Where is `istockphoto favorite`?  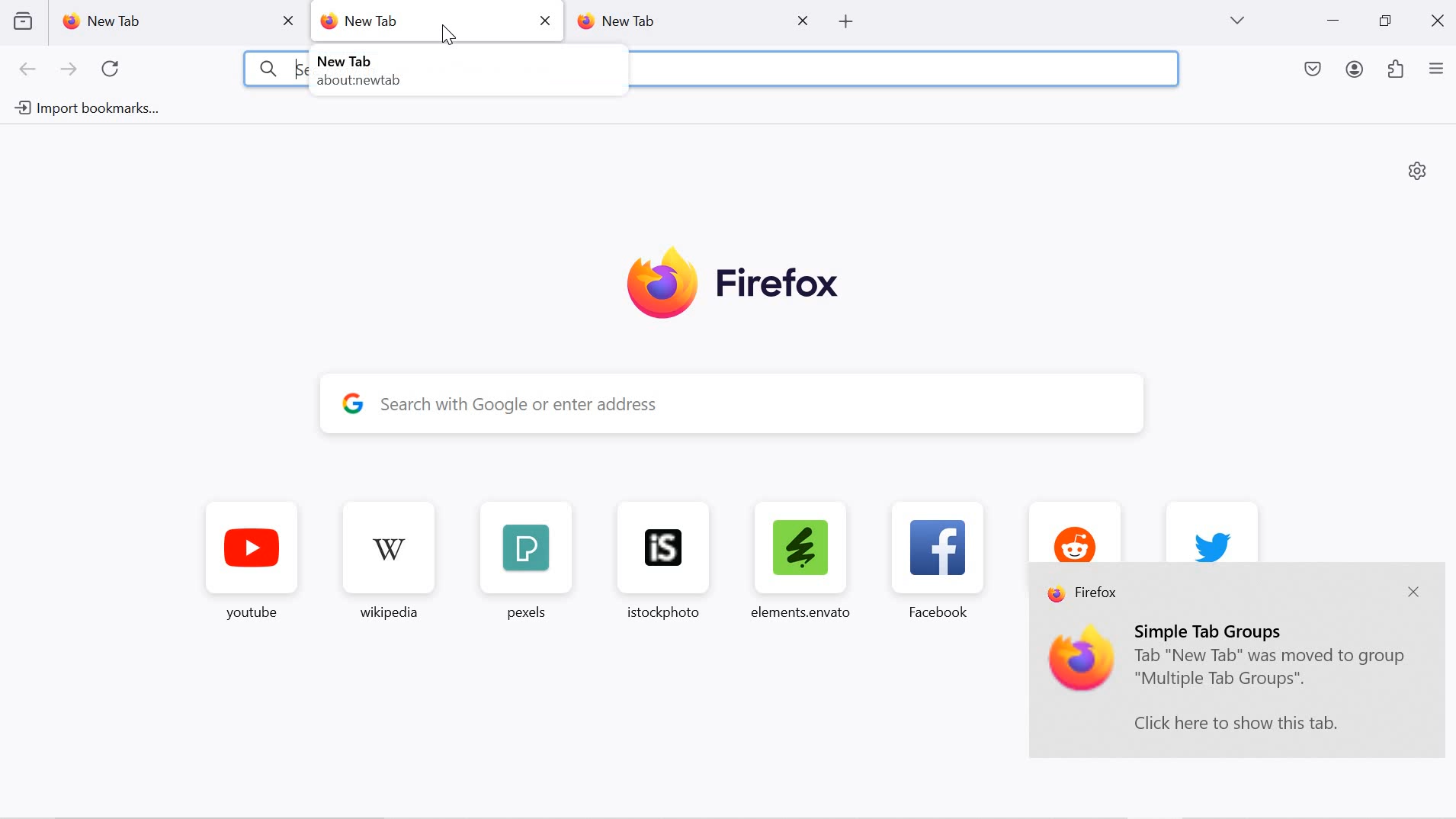
istockphoto favorite is located at coordinates (656, 560).